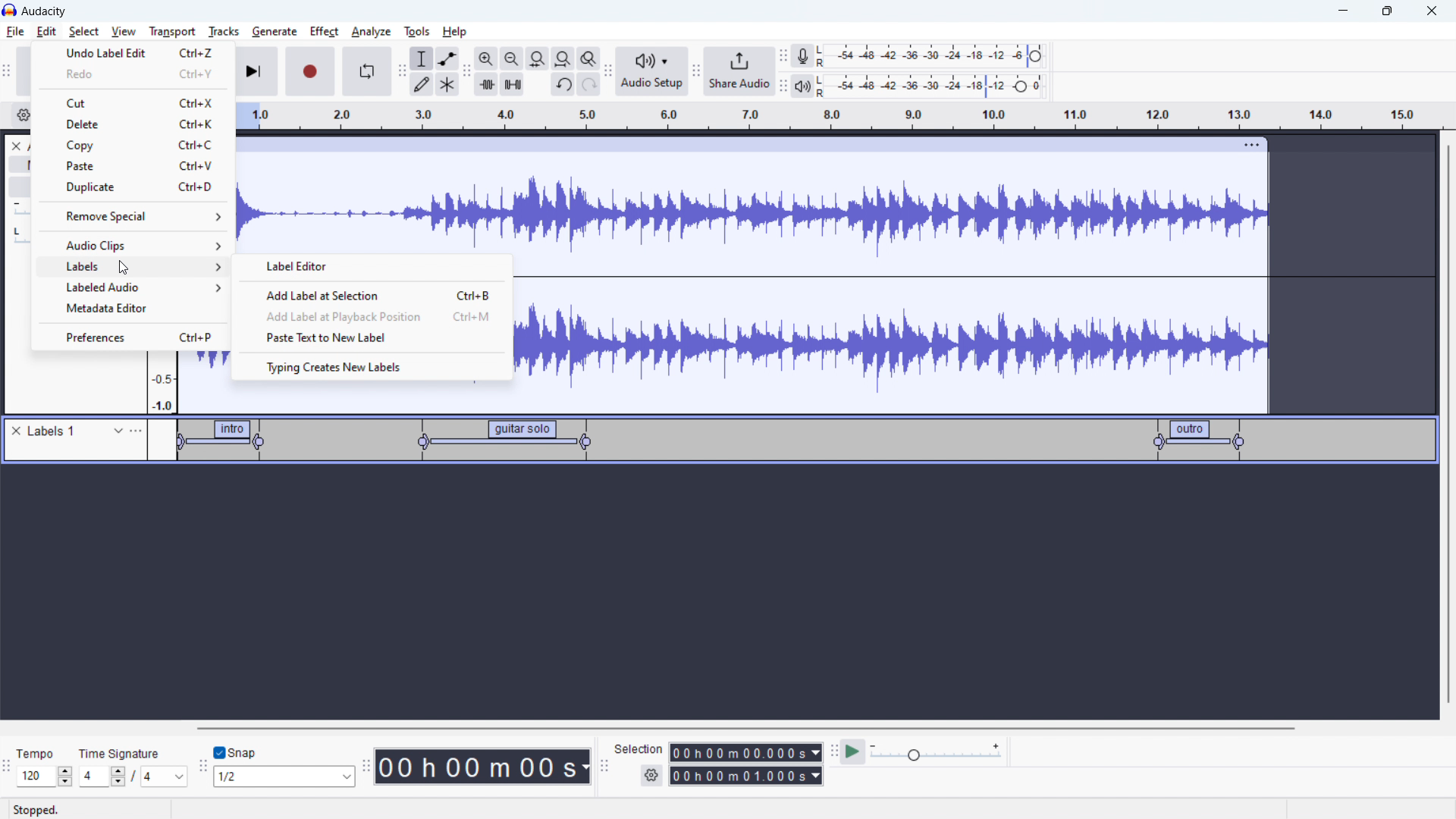  I want to click on undo, so click(563, 86).